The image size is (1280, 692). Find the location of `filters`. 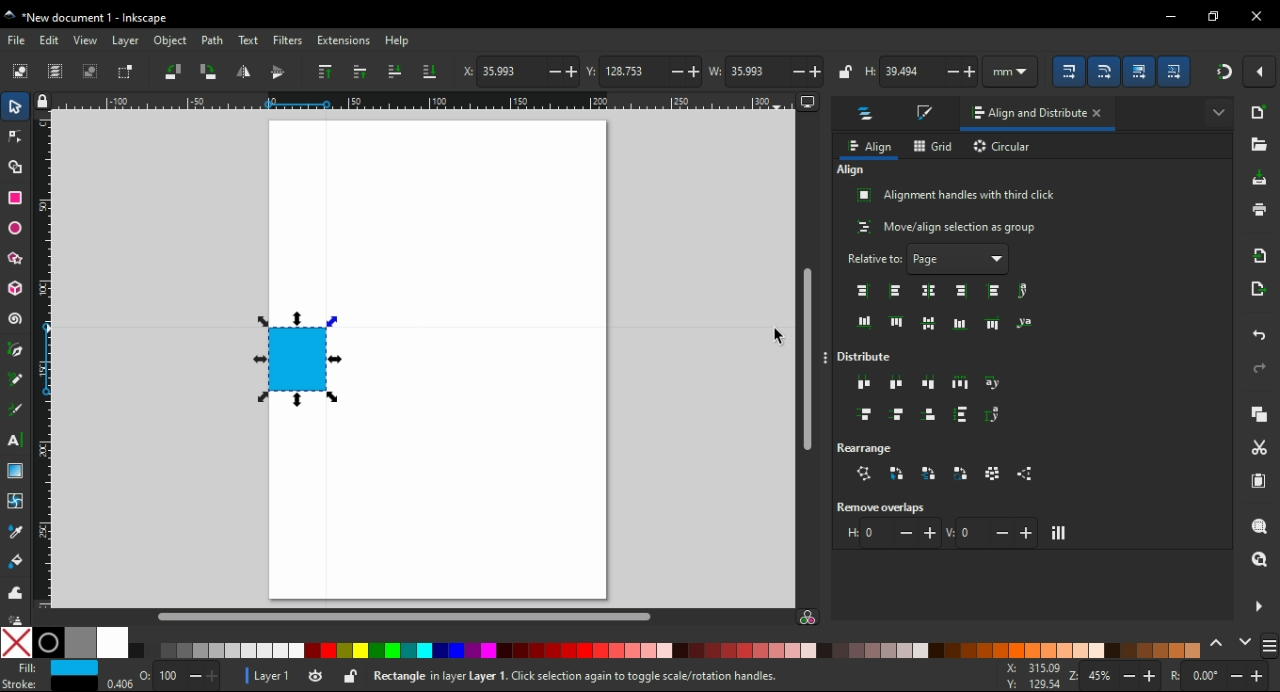

filters is located at coordinates (288, 42).